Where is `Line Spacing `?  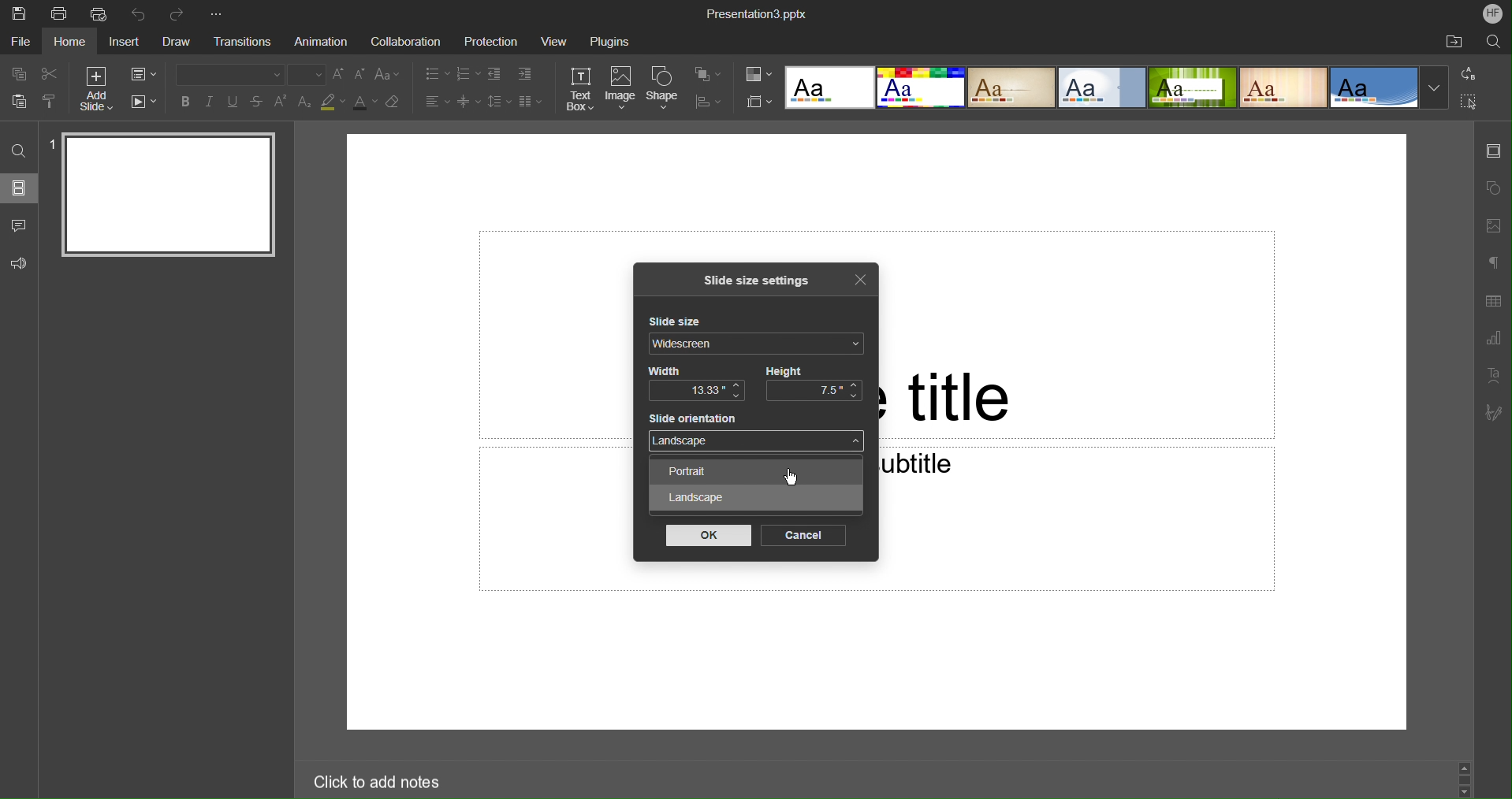 Line Spacing  is located at coordinates (497, 102).